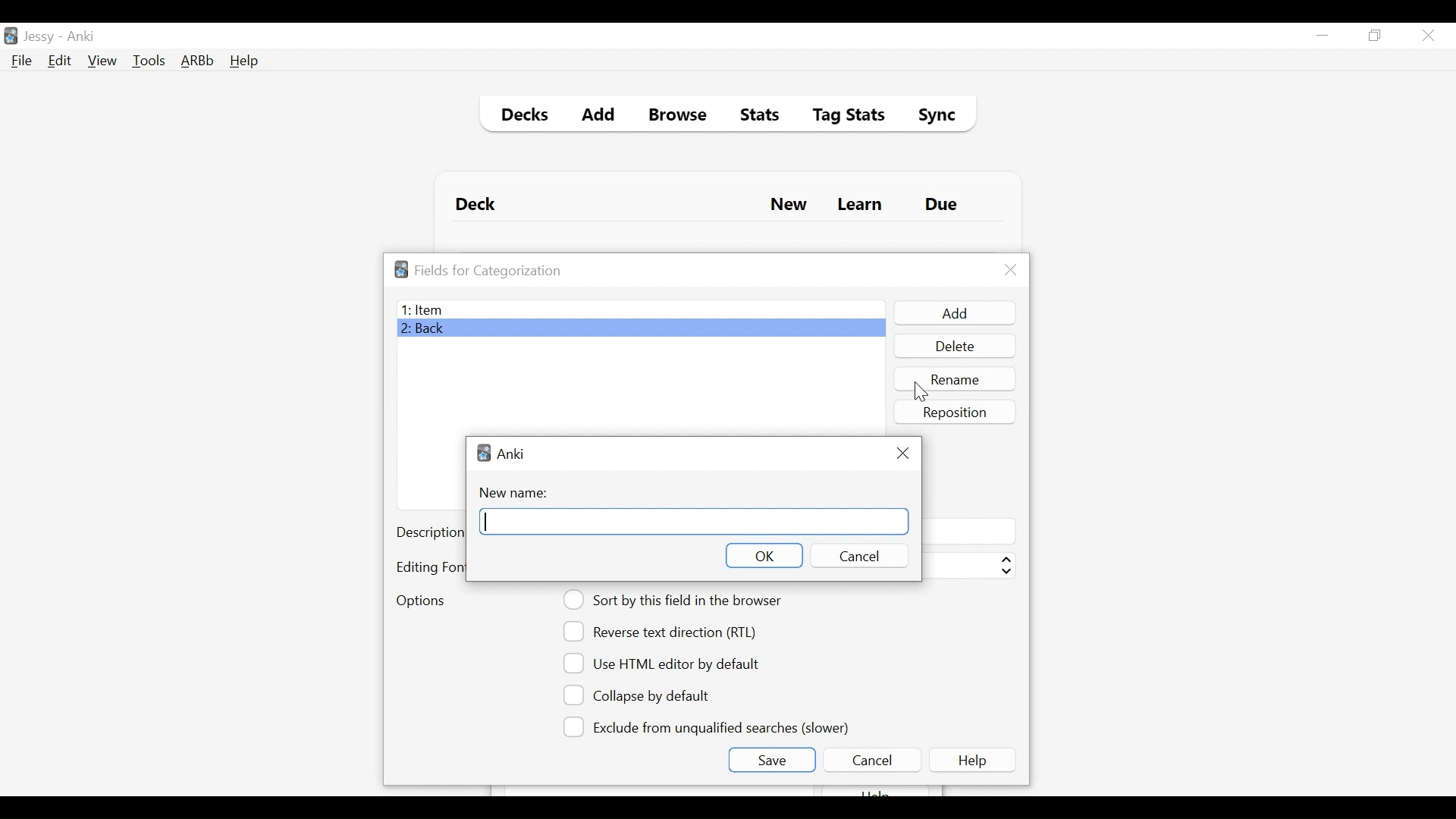  Describe the element at coordinates (640, 309) in the screenshot. I see `Front` at that location.